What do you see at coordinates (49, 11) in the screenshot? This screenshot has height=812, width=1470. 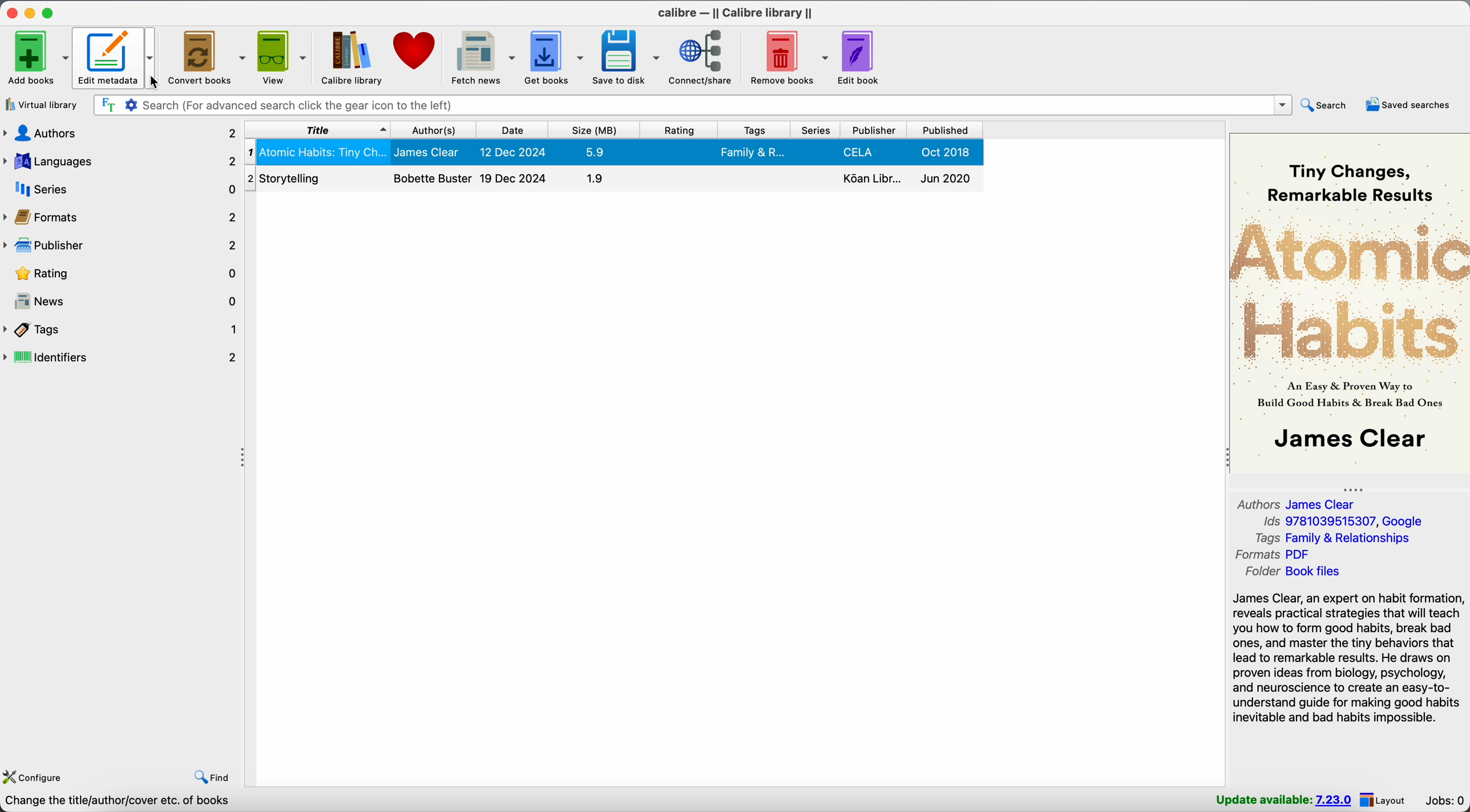 I see `maximize Calibre` at bounding box center [49, 11].